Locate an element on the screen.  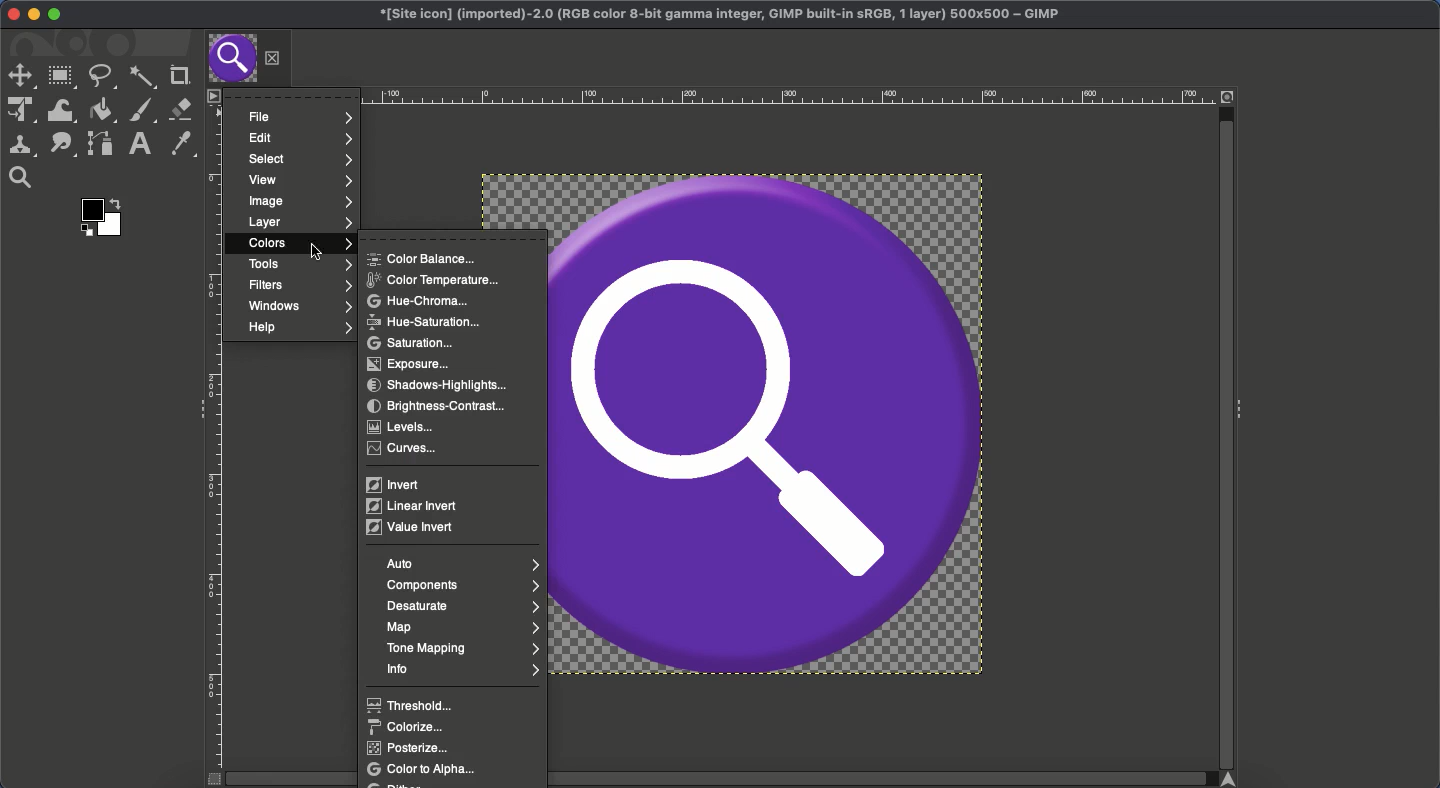
Desaturate is located at coordinates (467, 606).